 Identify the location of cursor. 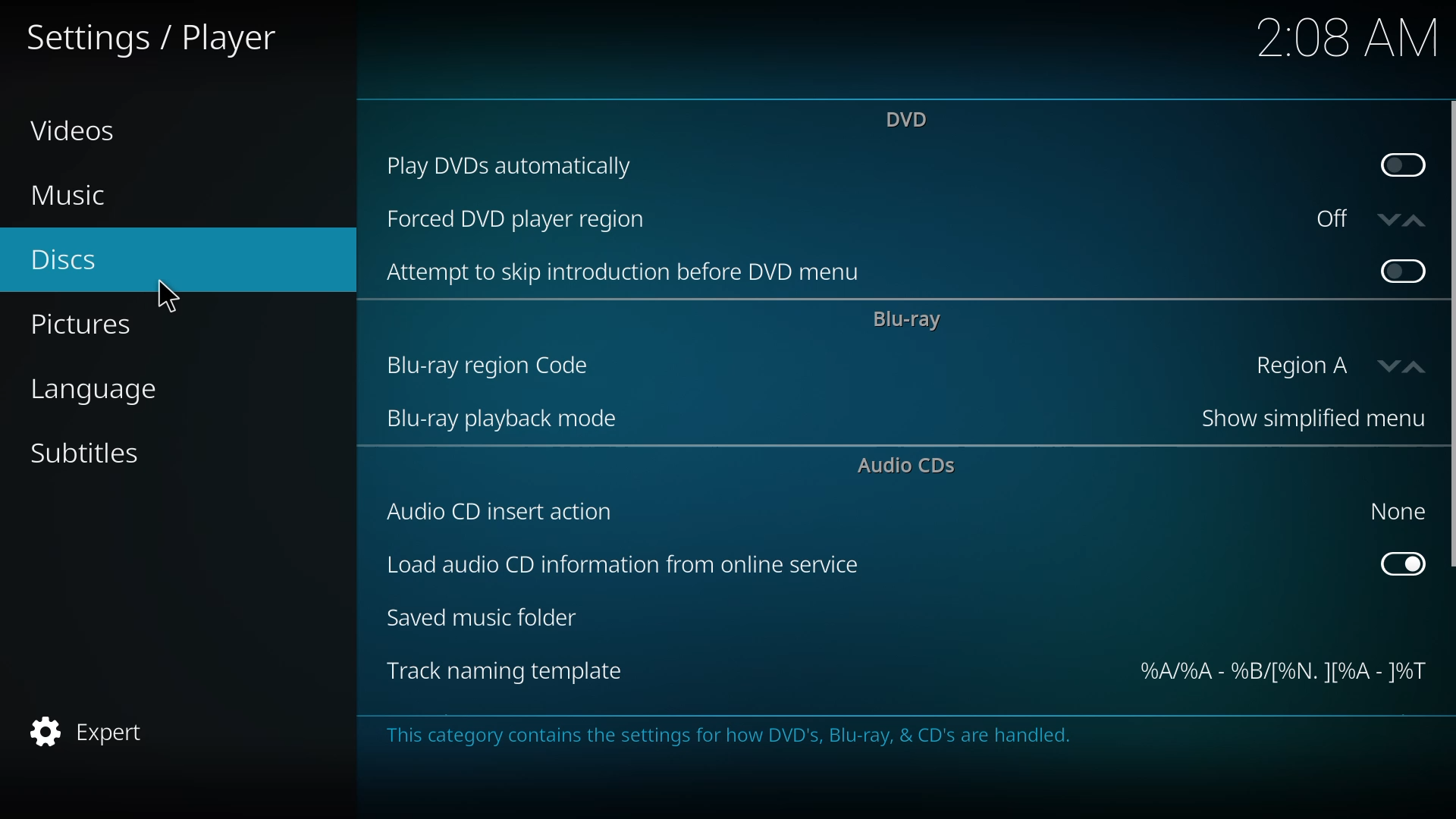
(169, 294).